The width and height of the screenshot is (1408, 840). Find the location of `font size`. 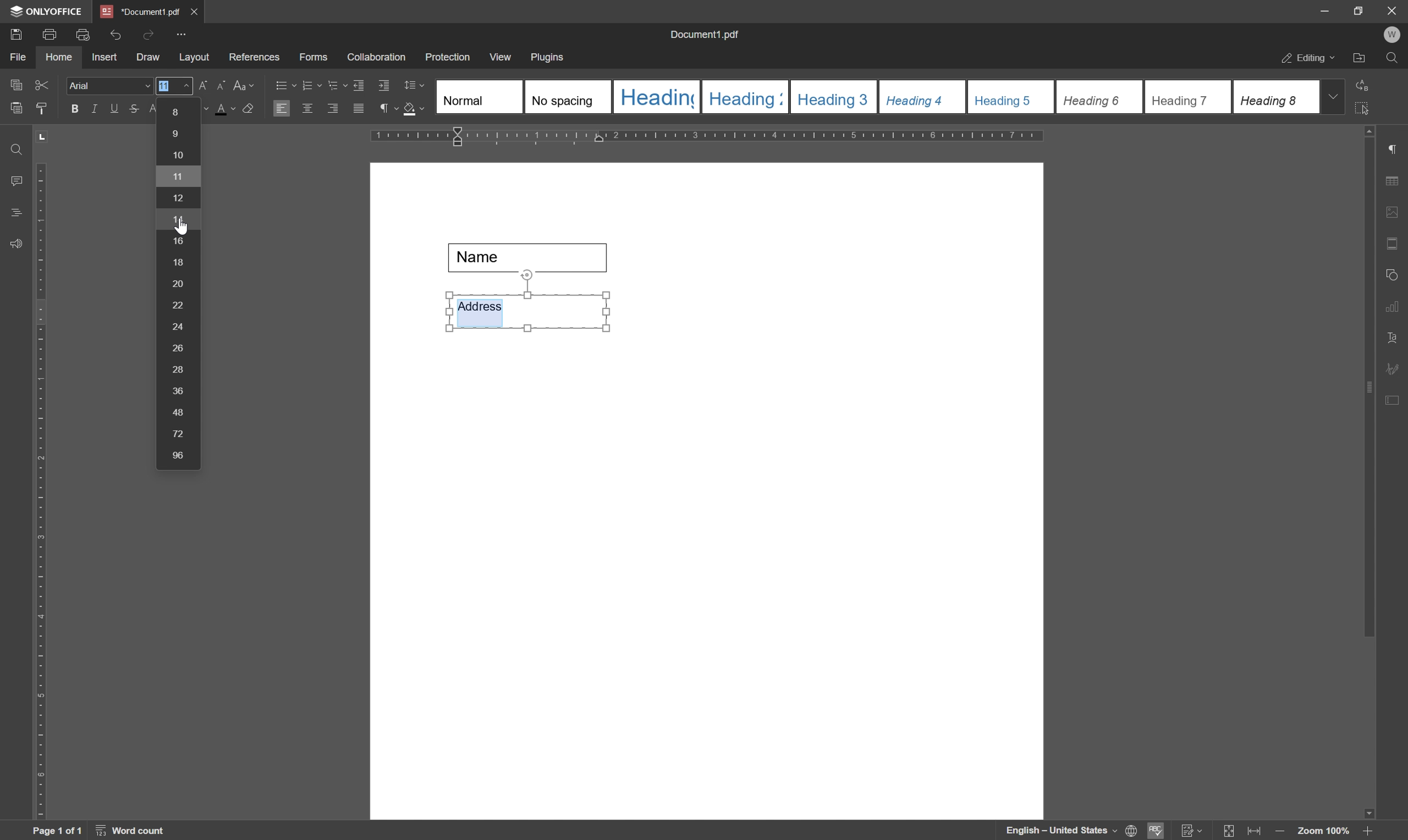

font size is located at coordinates (229, 109).